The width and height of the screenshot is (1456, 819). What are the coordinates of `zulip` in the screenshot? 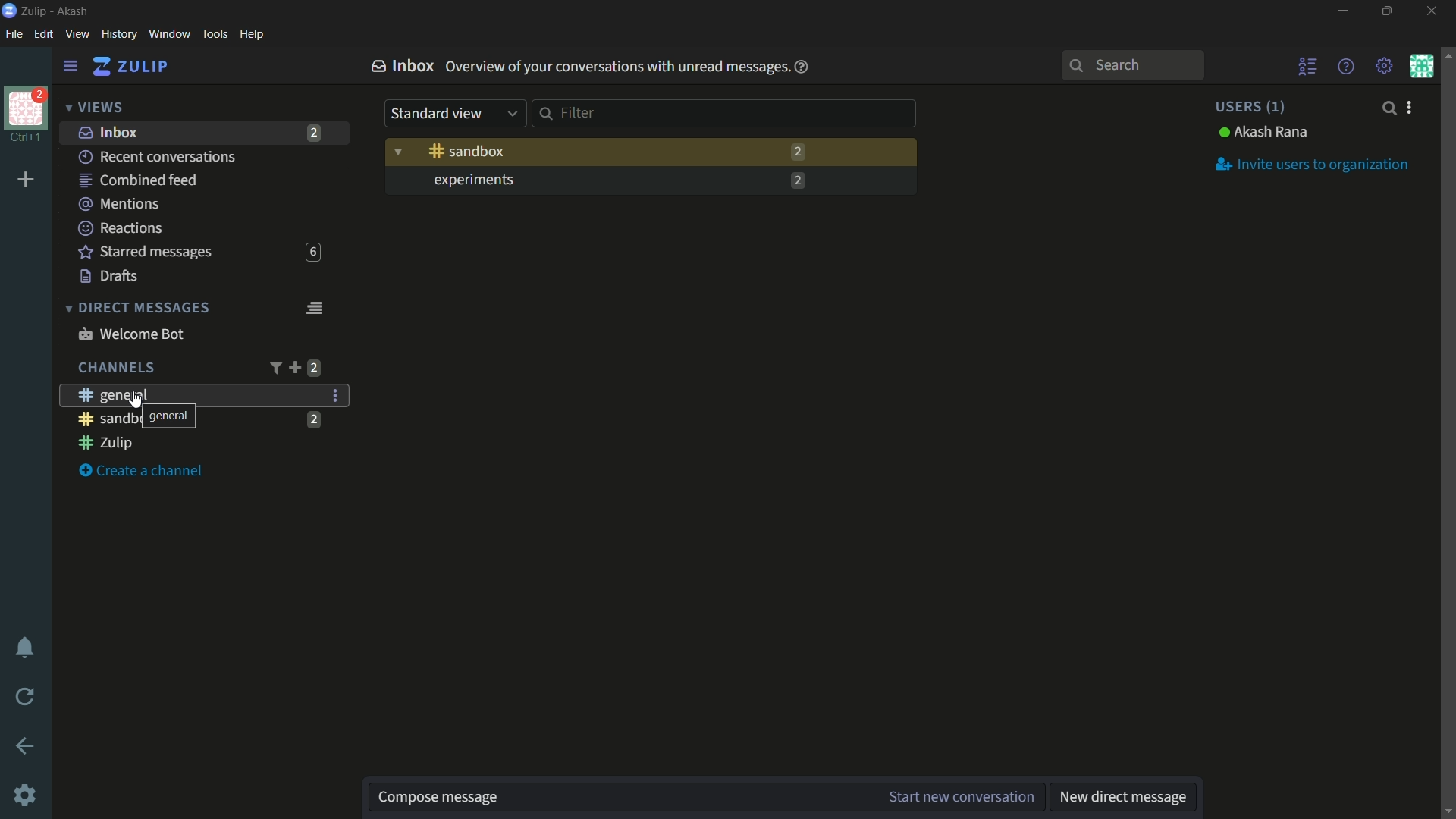 It's located at (130, 67).